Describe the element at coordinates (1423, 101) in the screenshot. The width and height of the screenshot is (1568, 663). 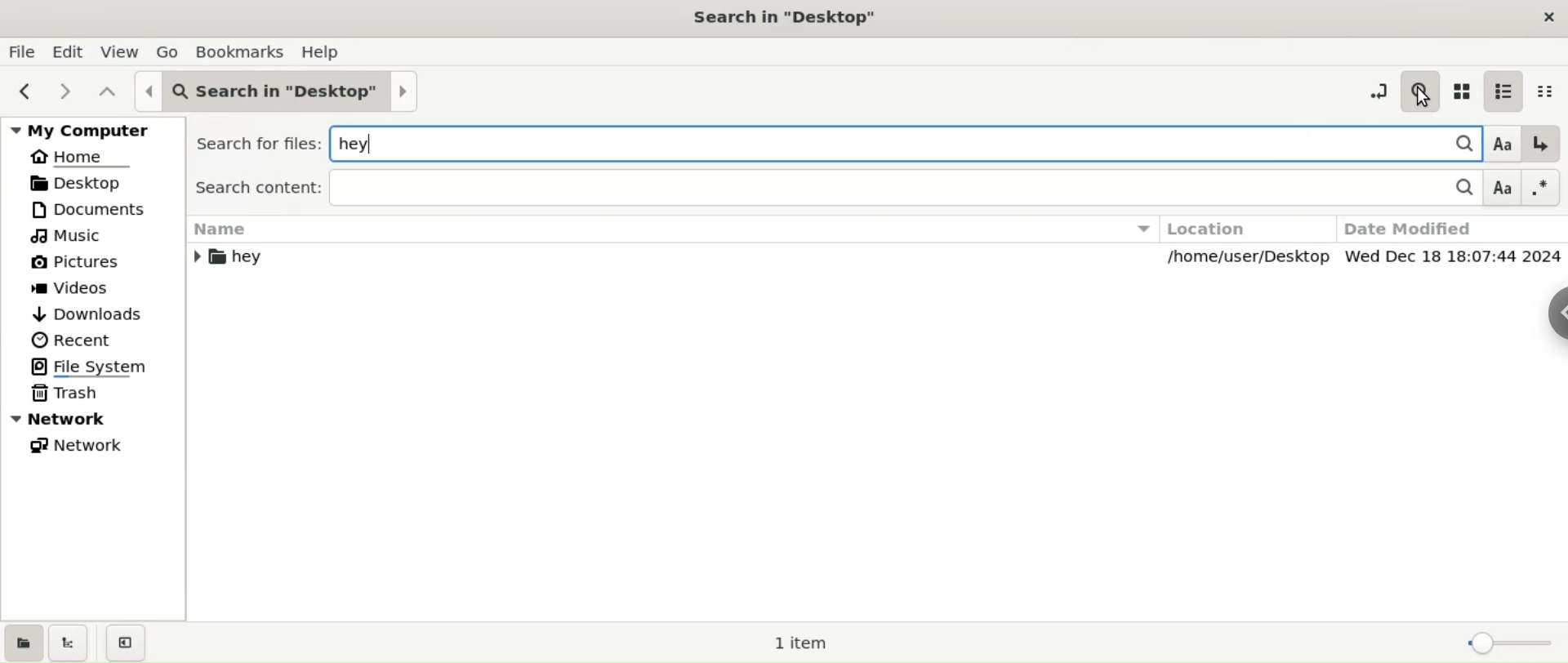
I see `cursor` at that location.